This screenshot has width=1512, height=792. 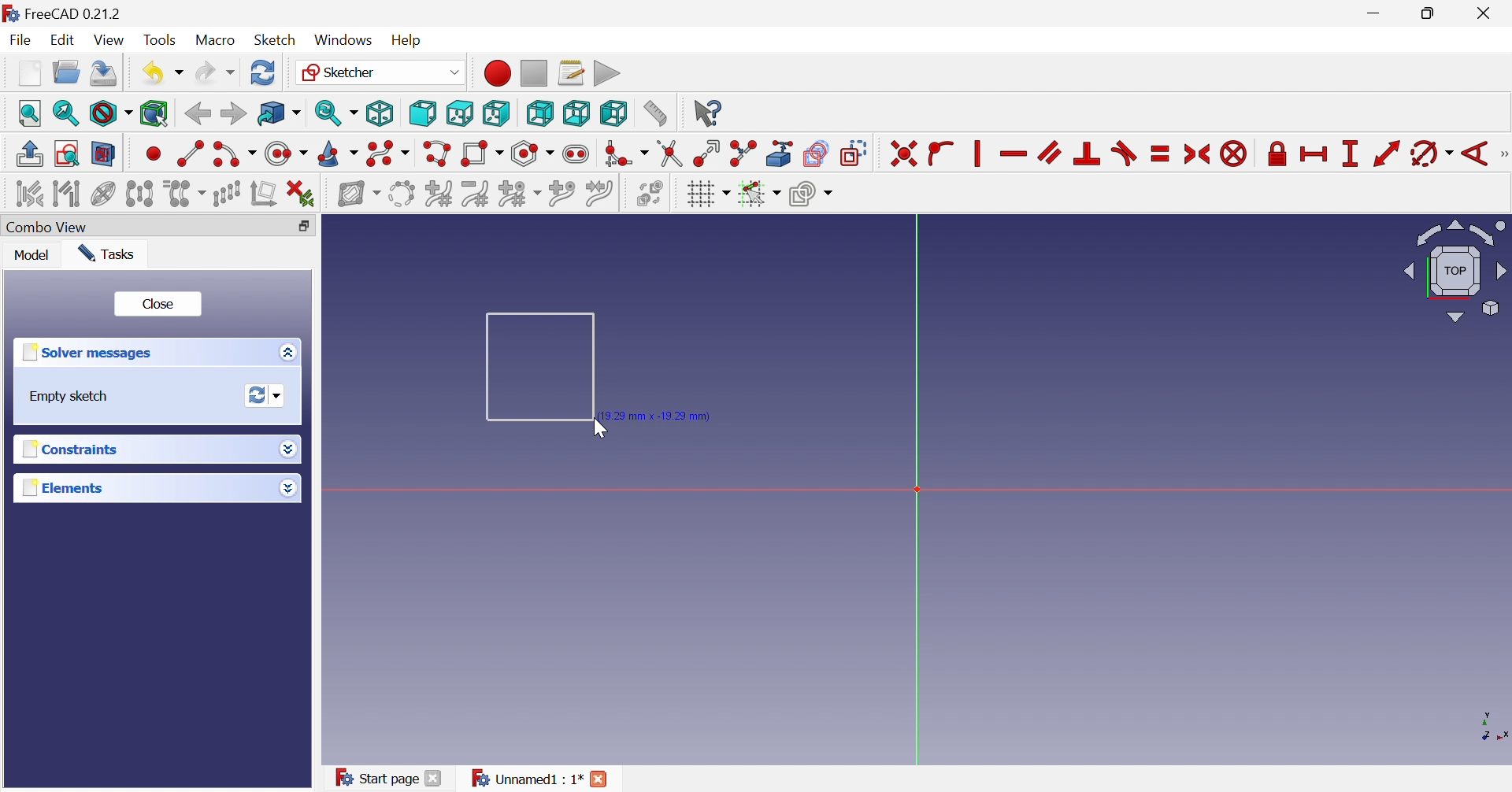 What do you see at coordinates (139, 194) in the screenshot?
I see `Symmetry` at bounding box center [139, 194].